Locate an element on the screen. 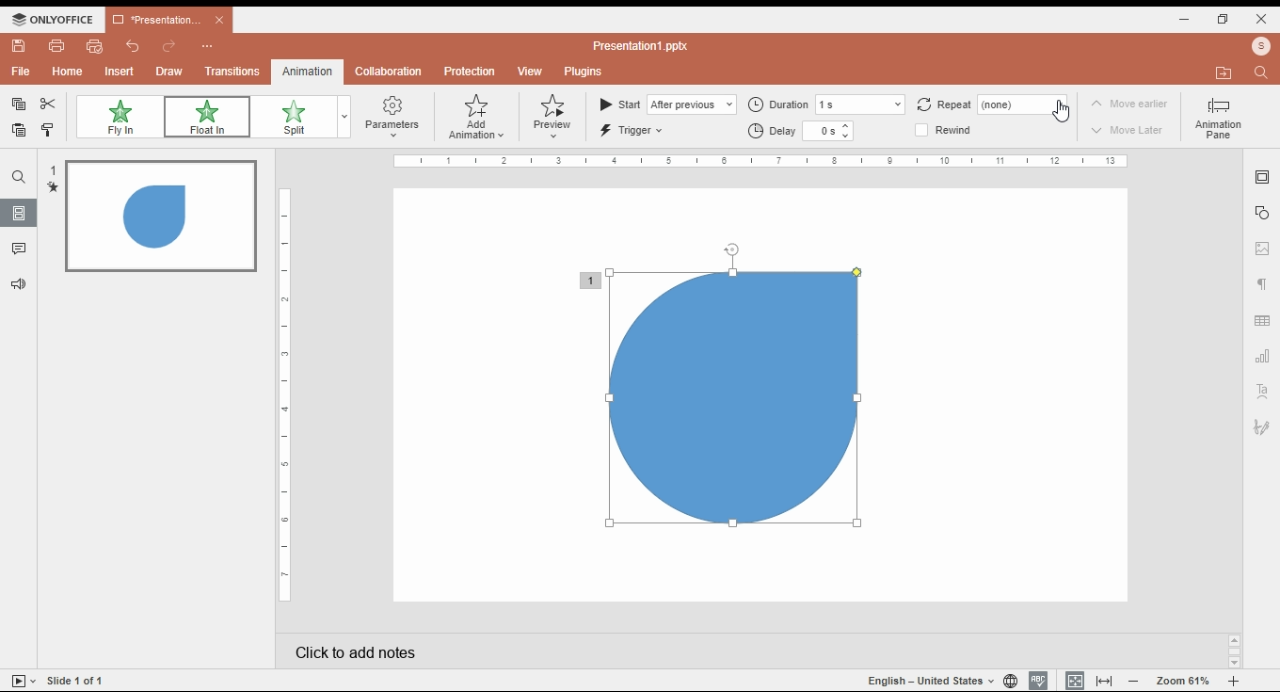   is located at coordinates (1262, 430).